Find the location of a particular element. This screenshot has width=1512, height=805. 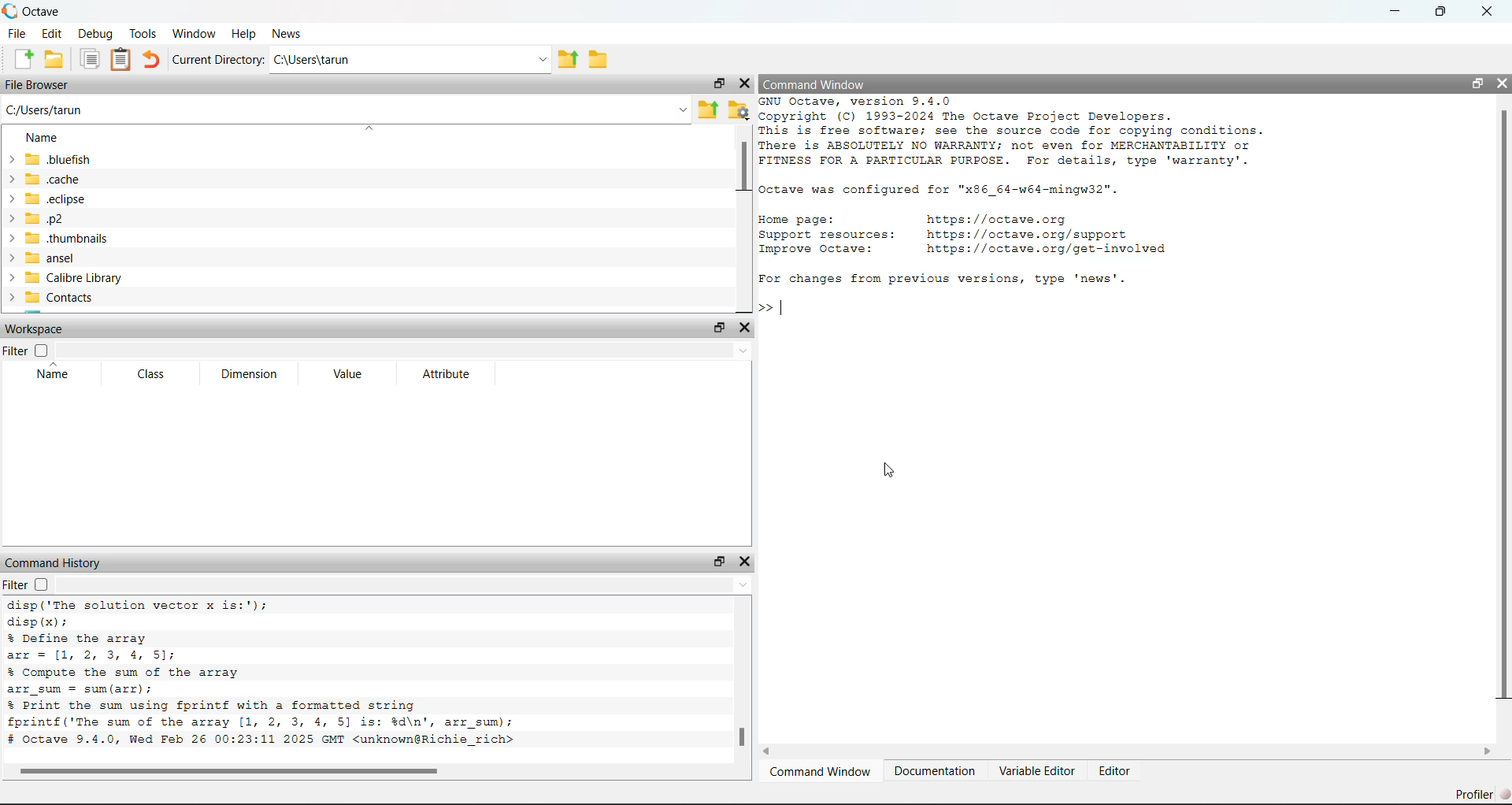

Close is located at coordinates (1488, 12).